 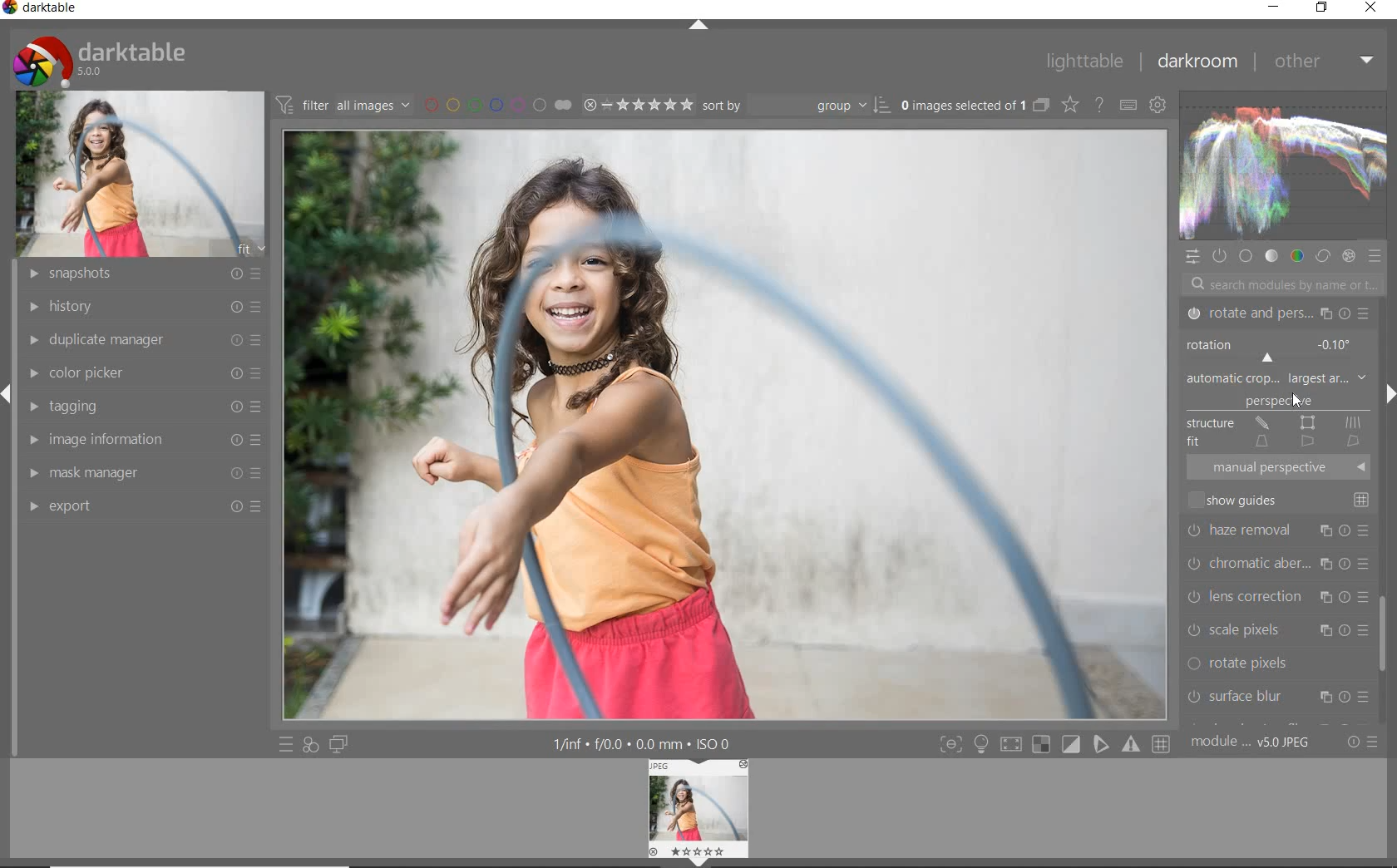 What do you see at coordinates (1281, 466) in the screenshot?
I see `MANUAL PERSPECTIVE` at bounding box center [1281, 466].